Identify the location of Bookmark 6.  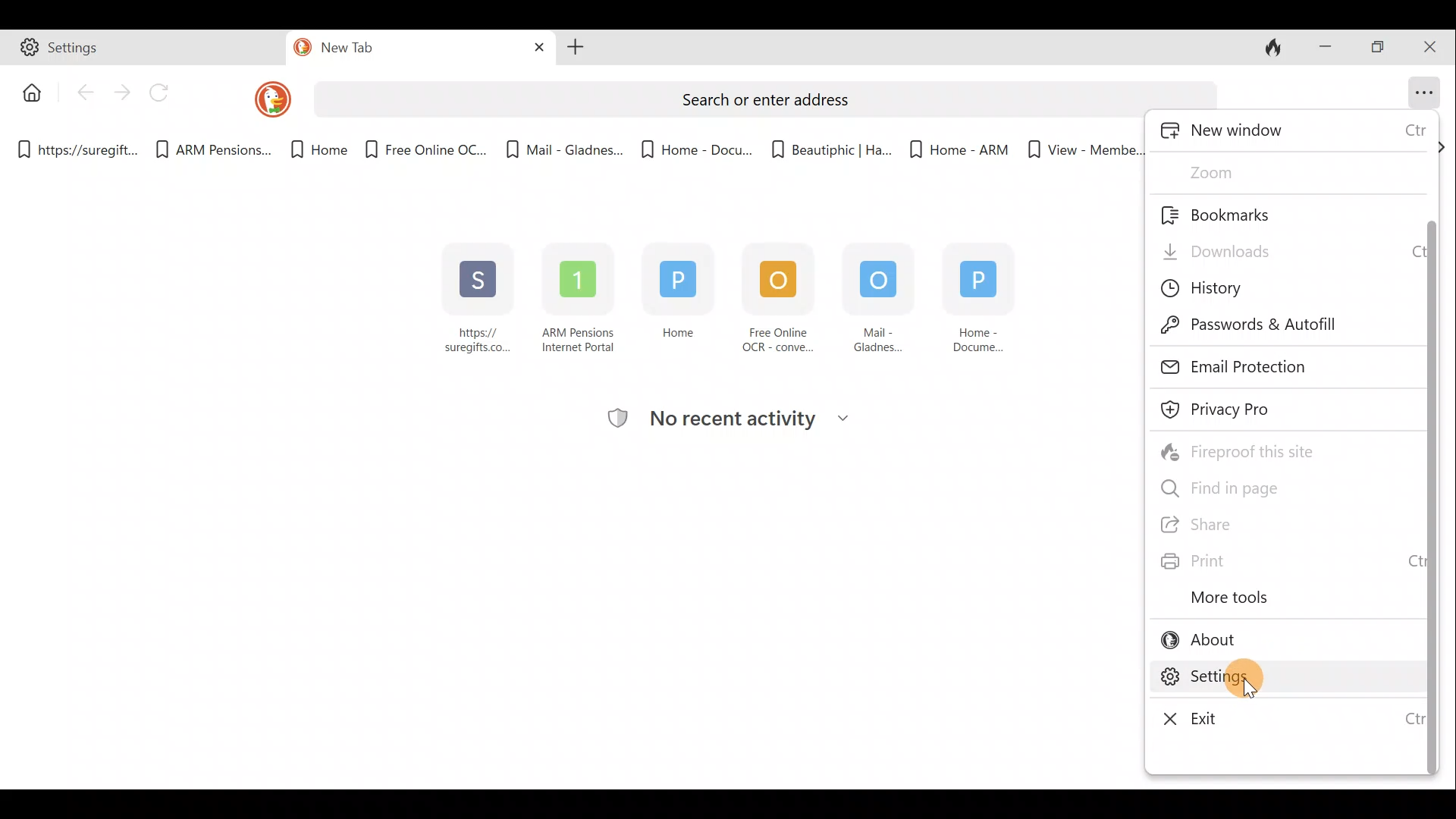
(697, 147).